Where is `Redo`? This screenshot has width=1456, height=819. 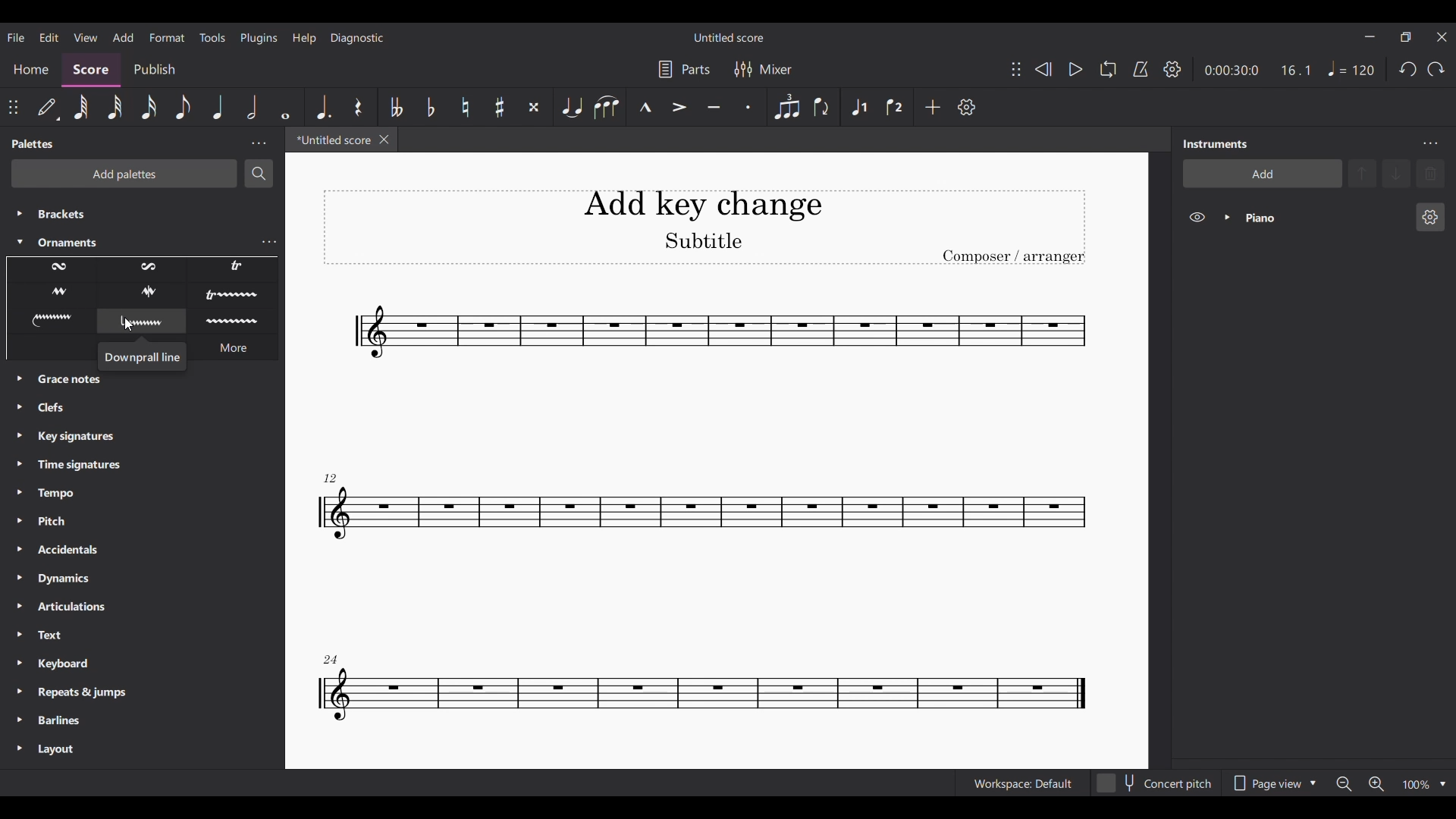 Redo is located at coordinates (1436, 70).